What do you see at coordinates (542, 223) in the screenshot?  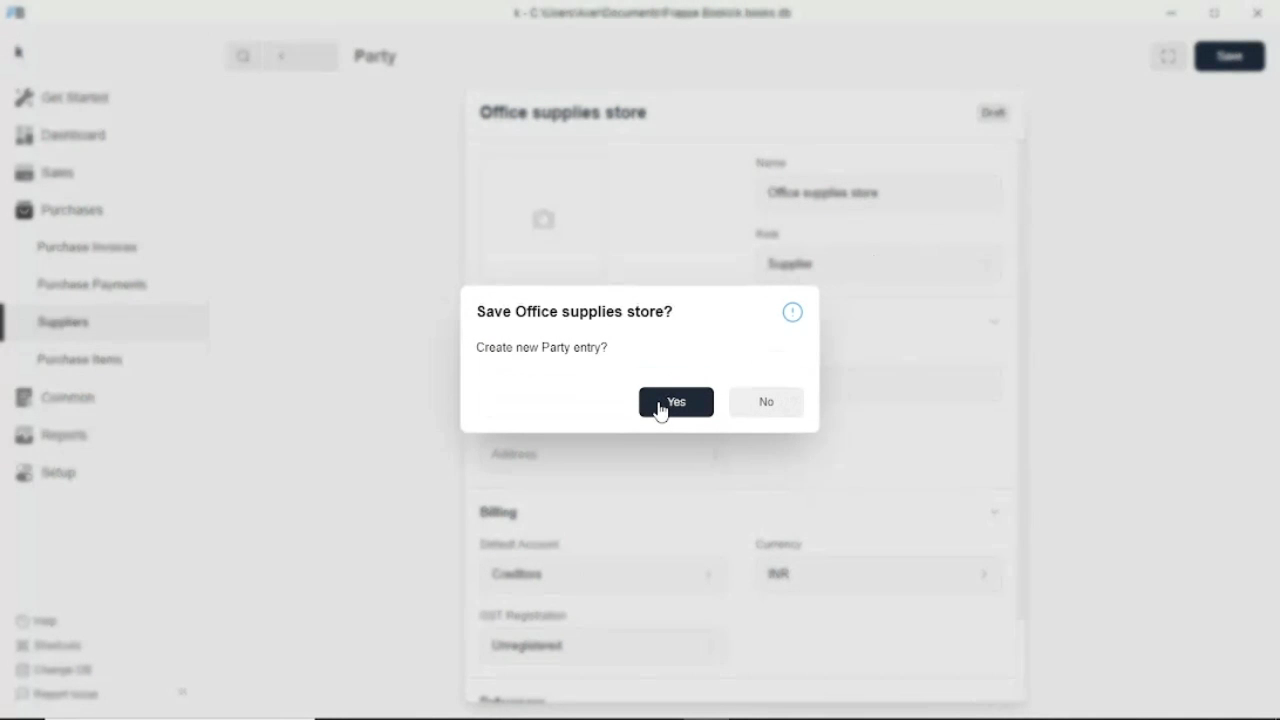 I see `Picture` at bounding box center [542, 223].